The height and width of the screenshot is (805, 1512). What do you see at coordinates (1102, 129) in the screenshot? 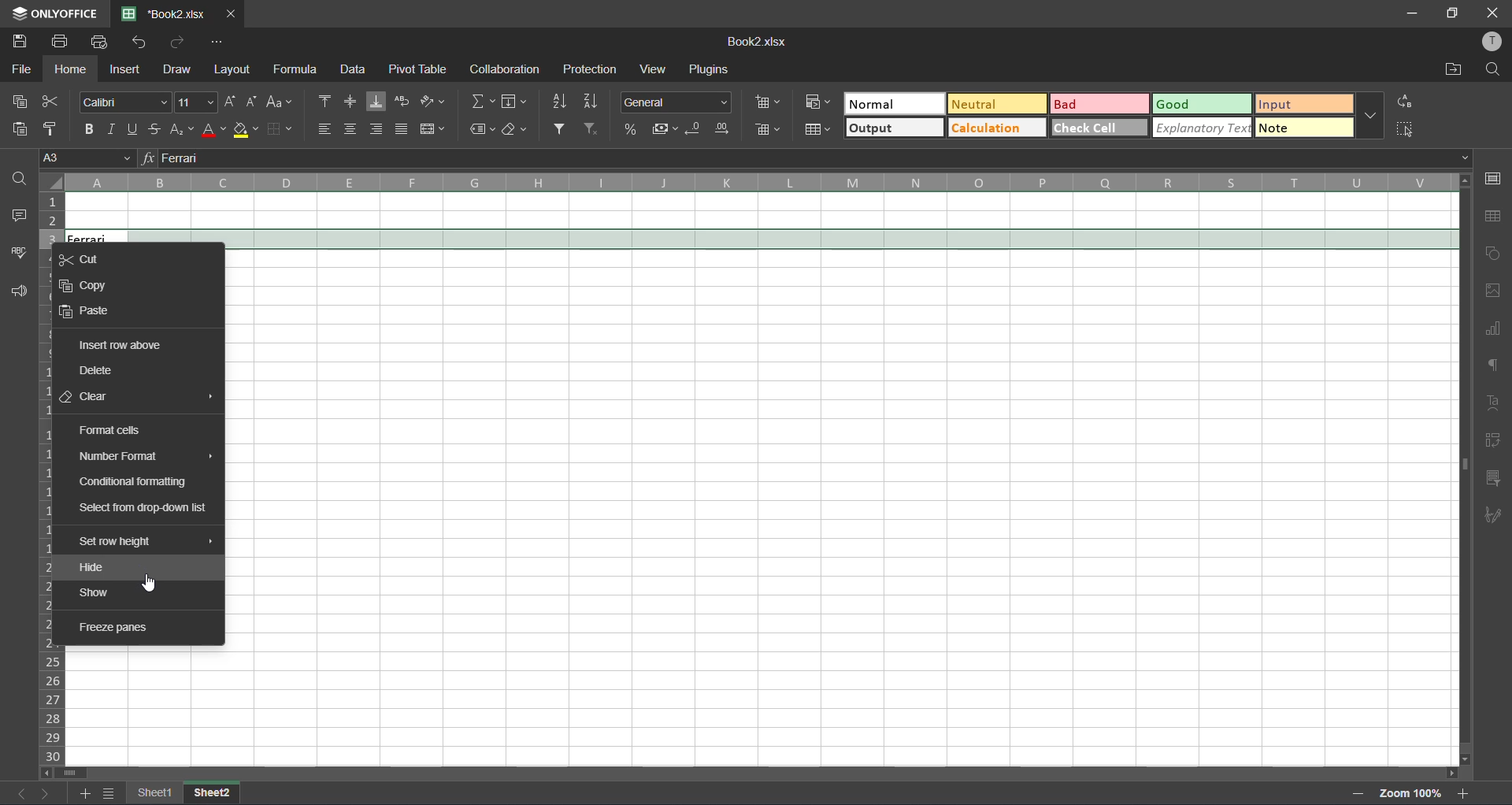
I see `check cell` at bounding box center [1102, 129].